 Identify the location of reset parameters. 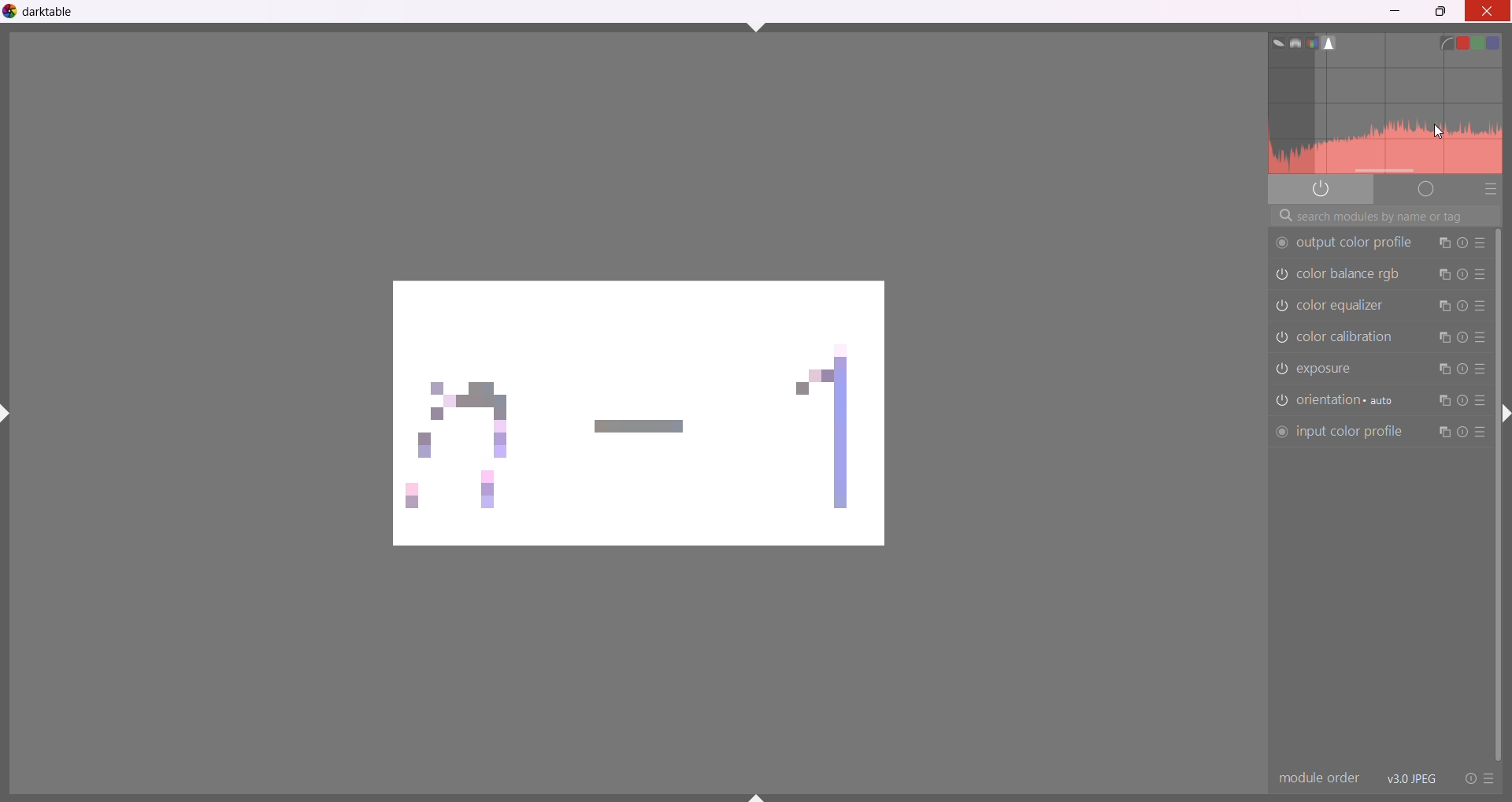
(1462, 369).